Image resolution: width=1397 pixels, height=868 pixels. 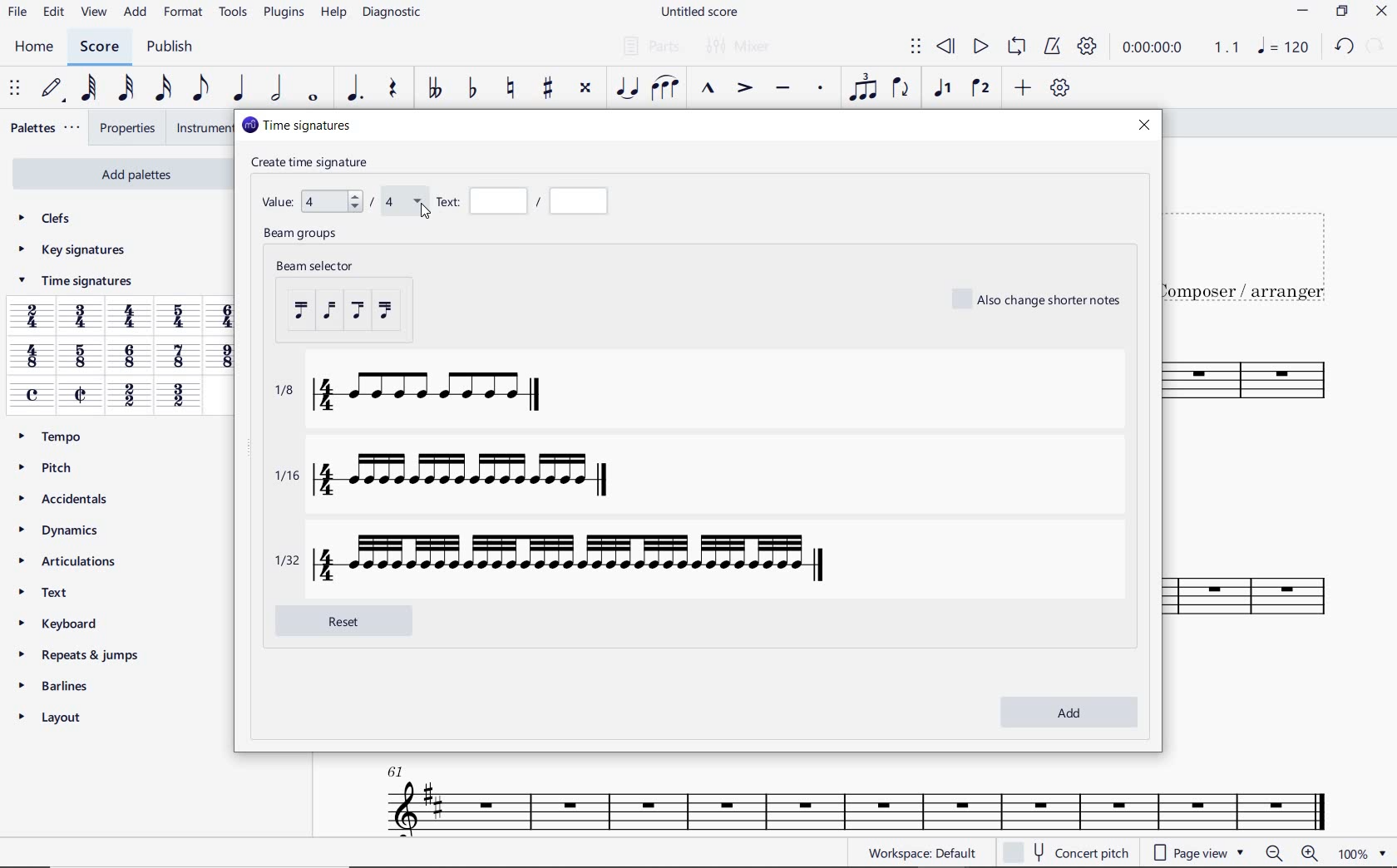 What do you see at coordinates (708, 90) in the screenshot?
I see `MARCATO` at bounding box center [708, 90].